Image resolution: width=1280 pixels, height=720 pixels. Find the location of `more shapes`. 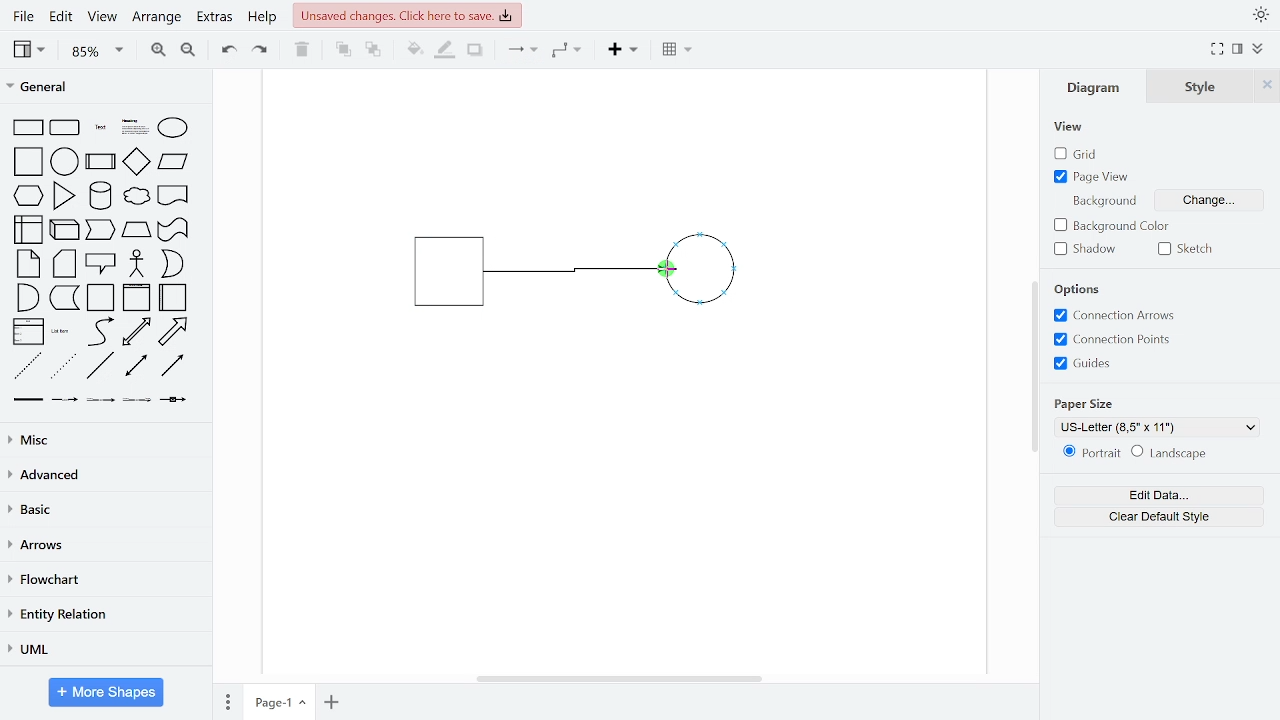

more shapes is located at coordinates (107, 694).